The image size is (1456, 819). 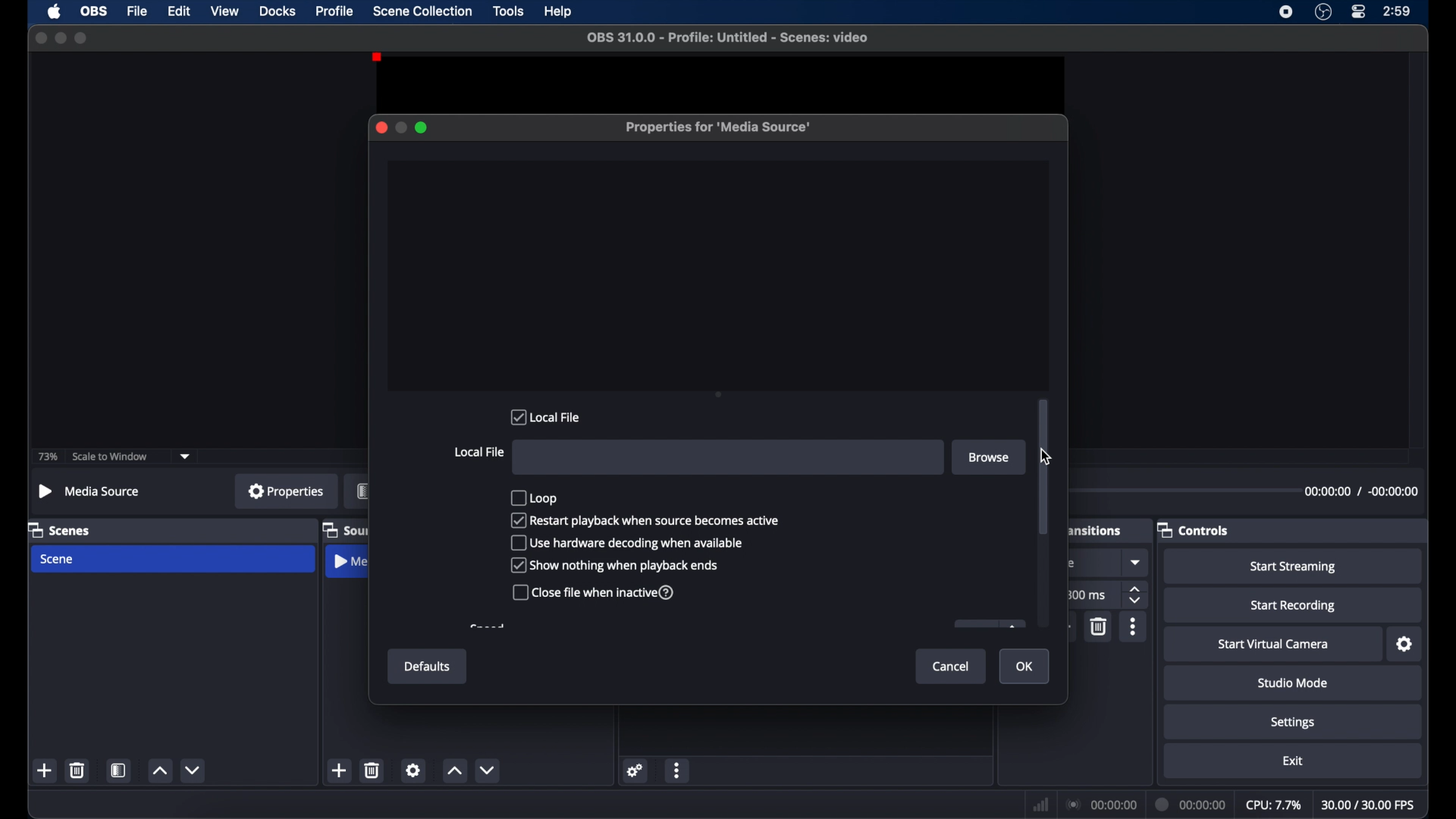 What do you see at coordinates (1192, 529) in the screenshot?
I see `controls` at bounding box center [1192, 529].